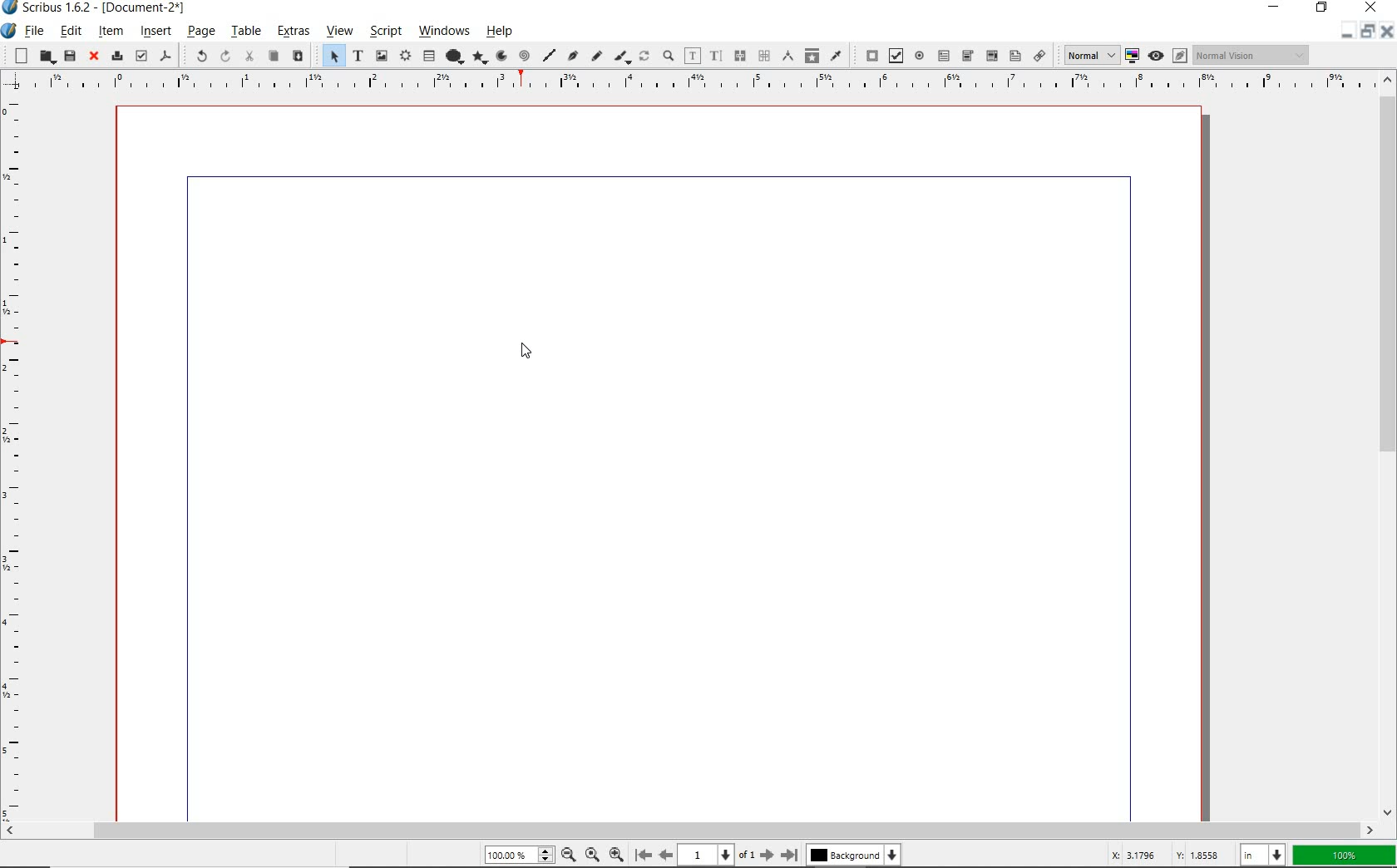  I want to click on freehand line, so click(596, 57).